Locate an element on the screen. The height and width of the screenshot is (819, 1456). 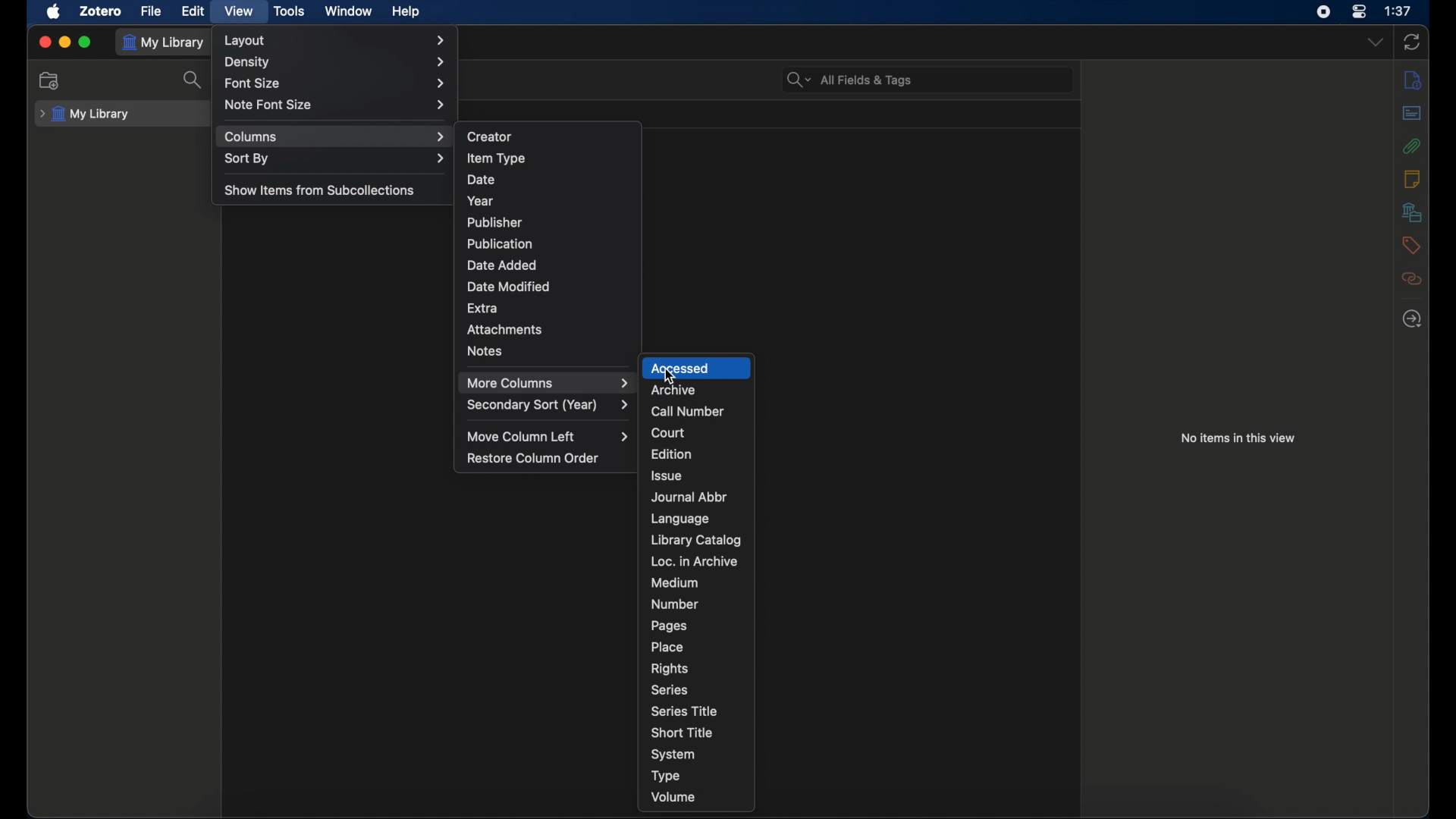
close is located at coordinates (42, 42).